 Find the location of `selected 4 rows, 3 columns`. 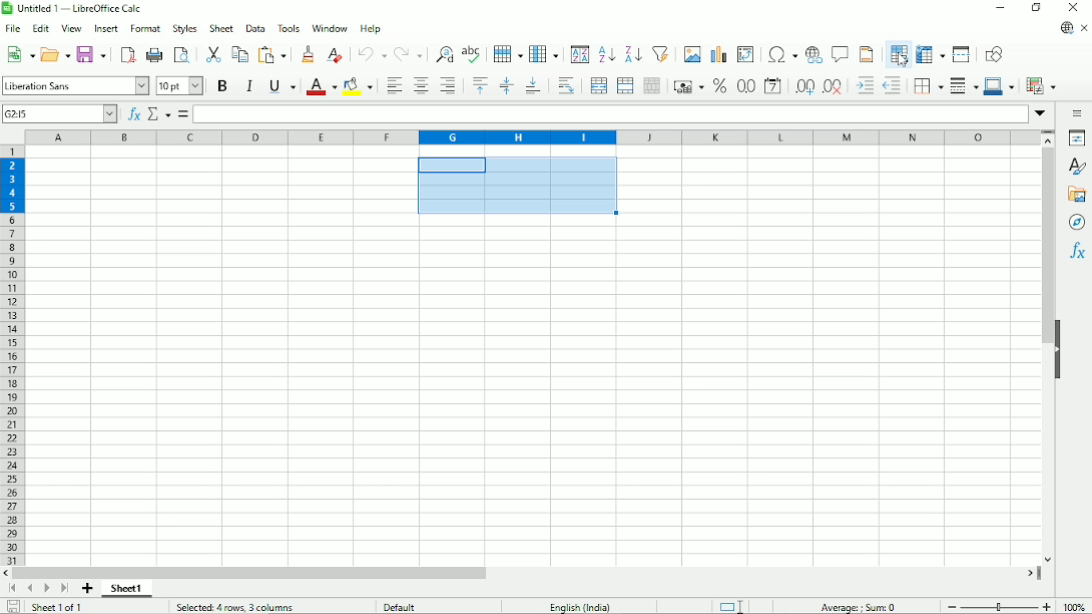

selected 4 rows, 3 columns is located at coordinates (236, 607).